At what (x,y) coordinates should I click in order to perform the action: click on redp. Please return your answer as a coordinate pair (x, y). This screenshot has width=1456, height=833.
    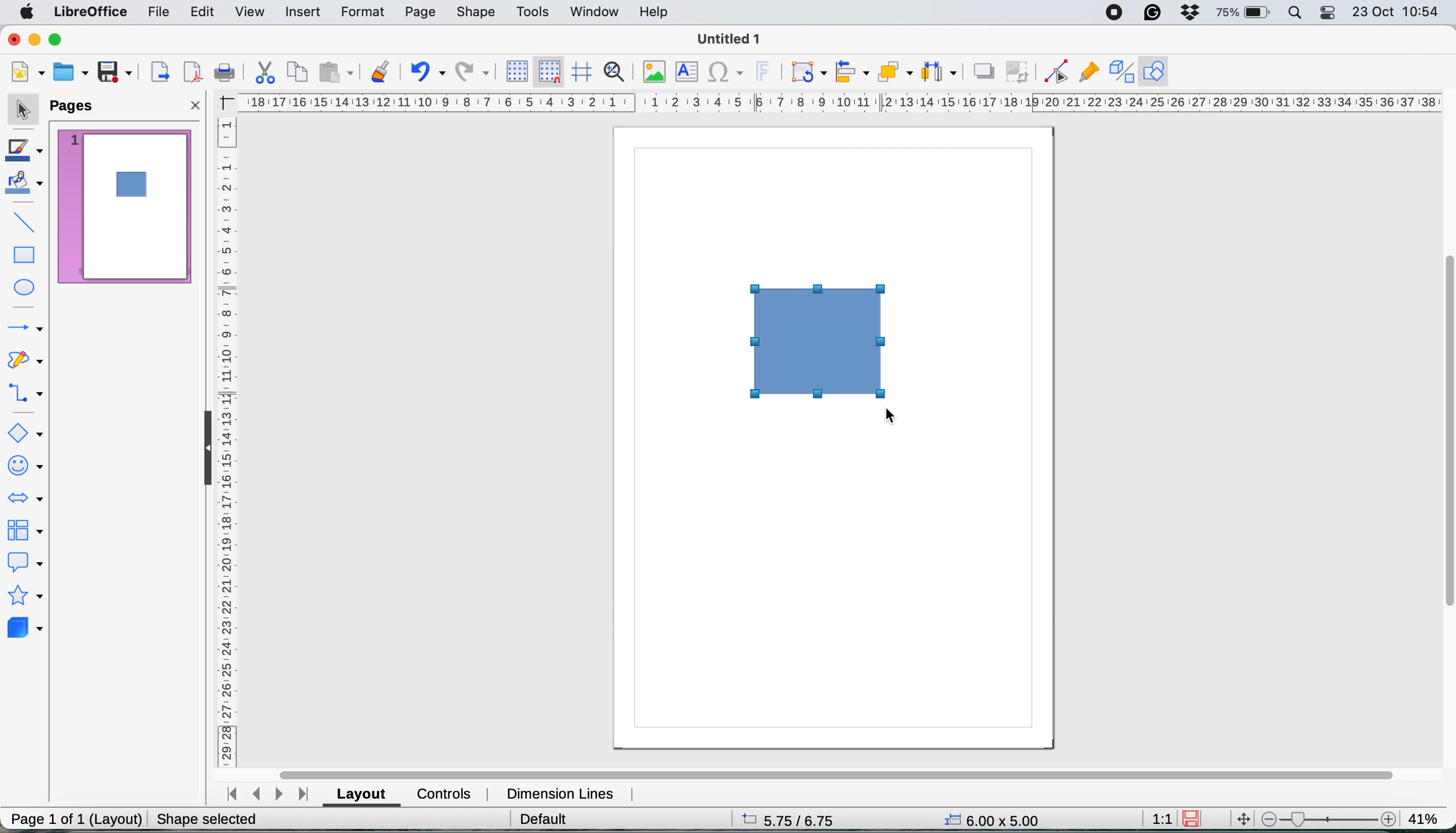
    Looking at the image, I should click on (469, 73).